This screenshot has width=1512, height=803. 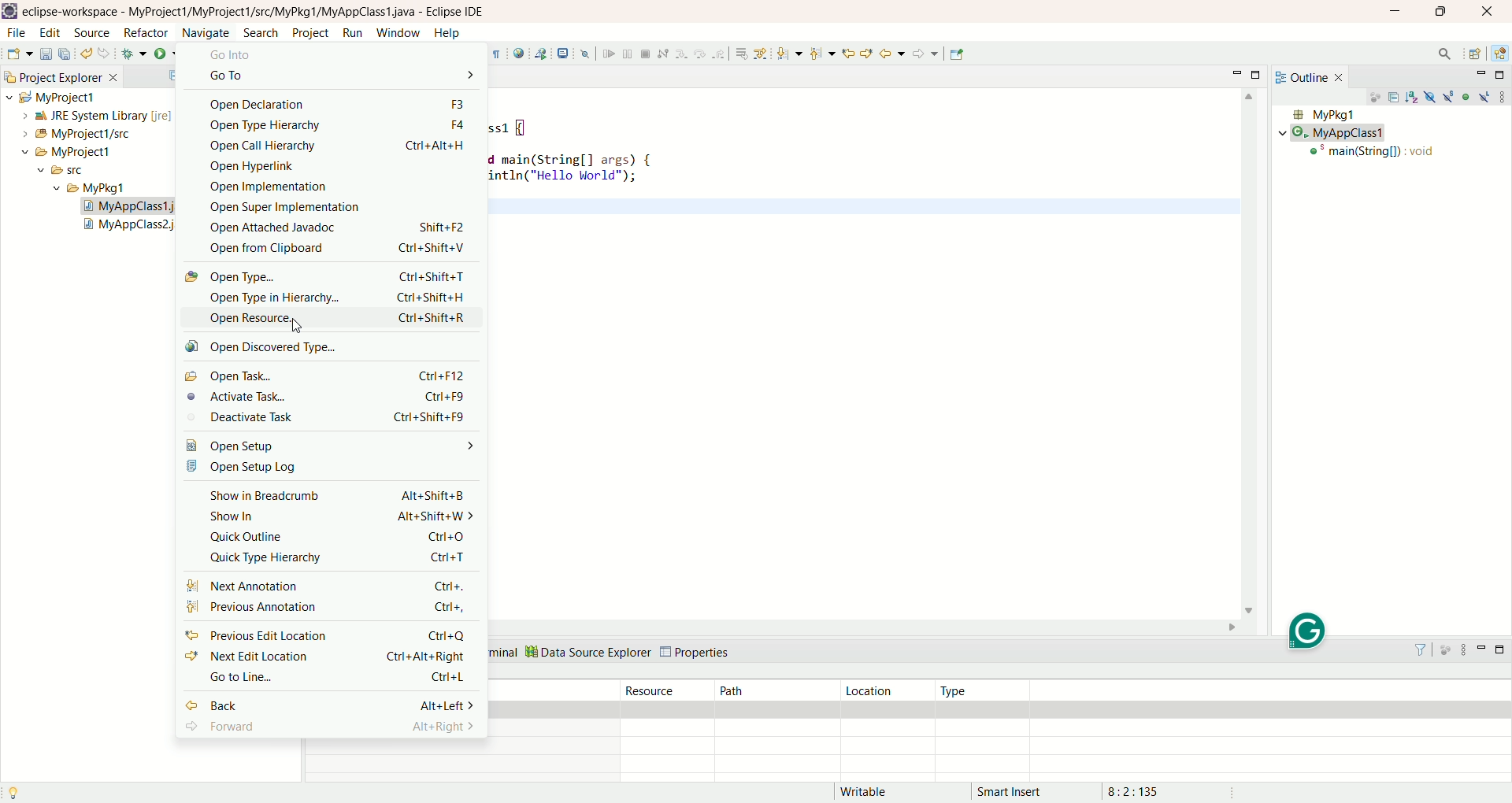 I want to click on back, so click(x=331, y=708).